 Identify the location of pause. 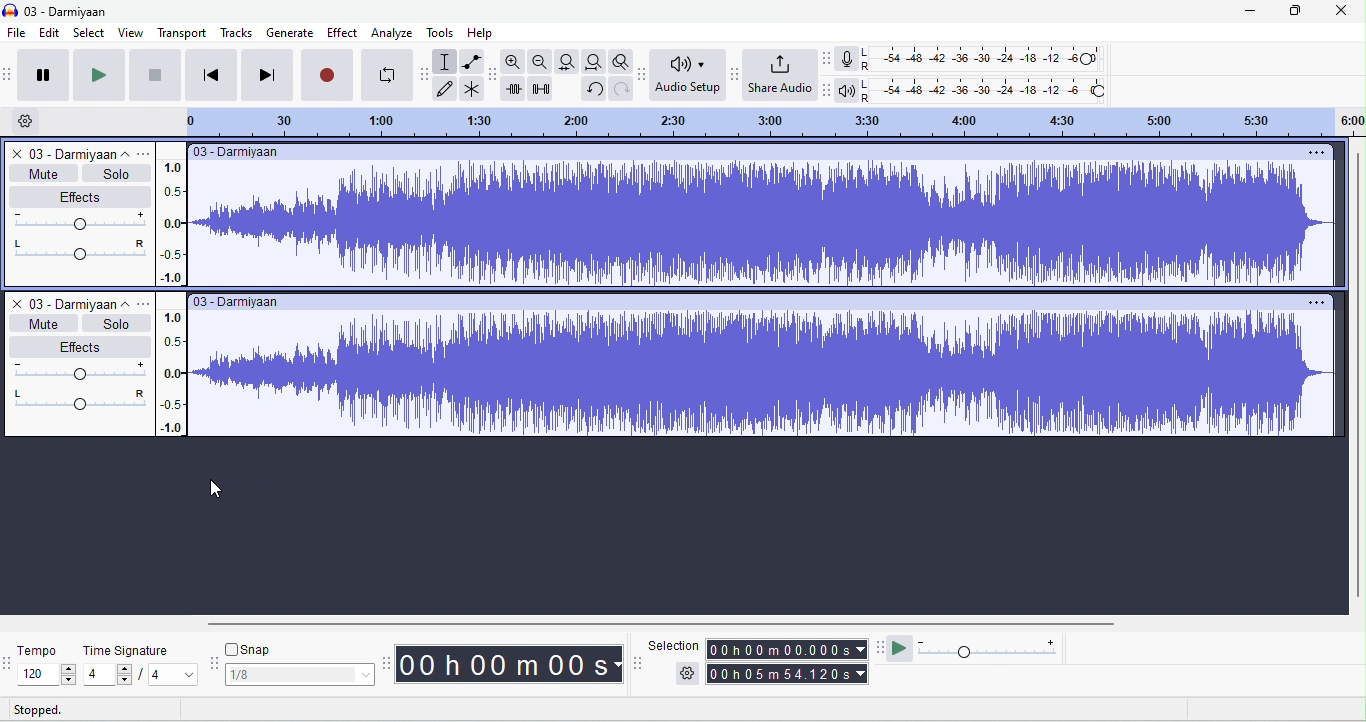
(43, 75).